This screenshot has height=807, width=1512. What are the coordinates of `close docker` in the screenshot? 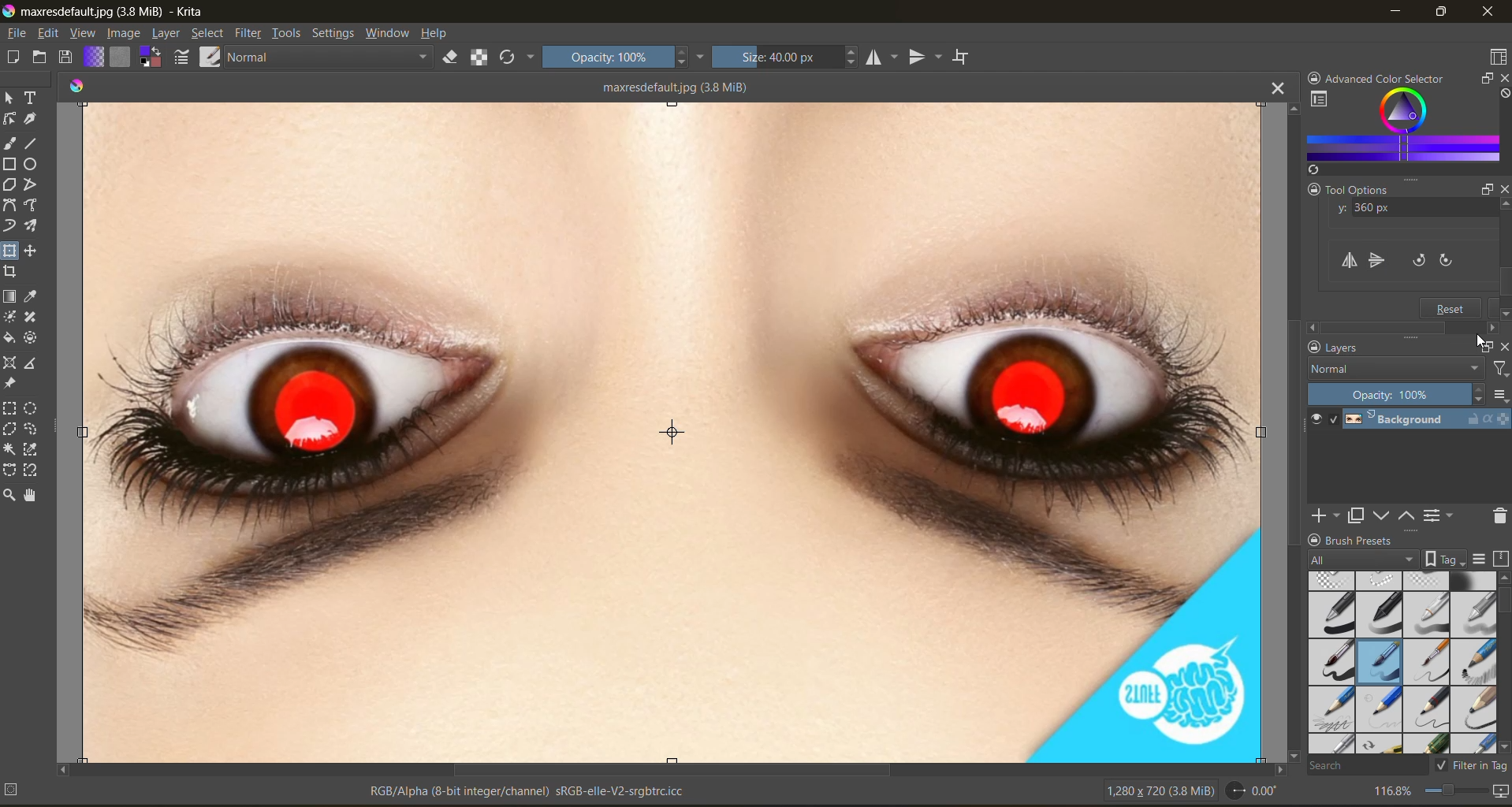 It's located at (1499, 189).